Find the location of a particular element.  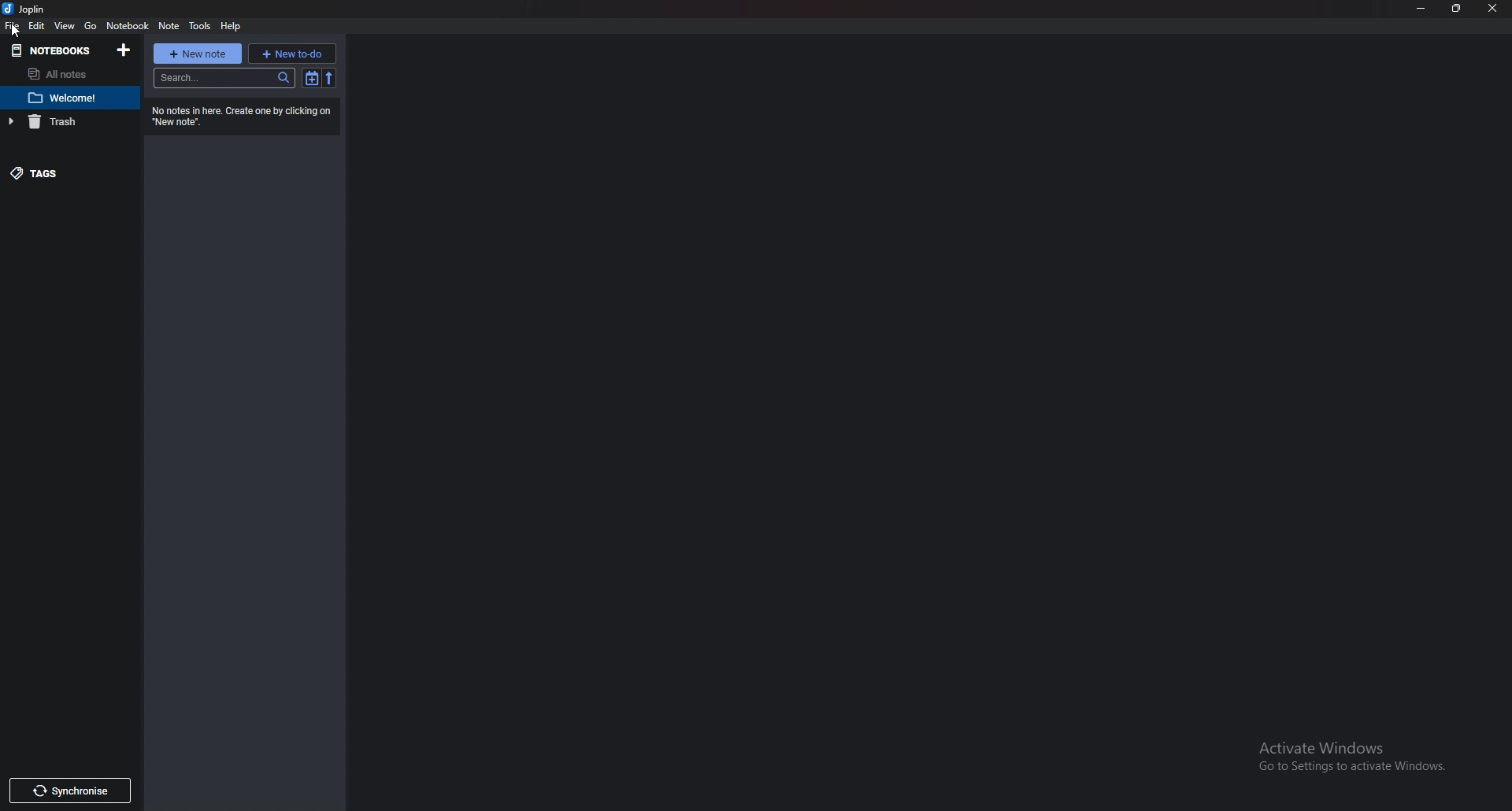

Notebooks is located at coordinates (51, 52).